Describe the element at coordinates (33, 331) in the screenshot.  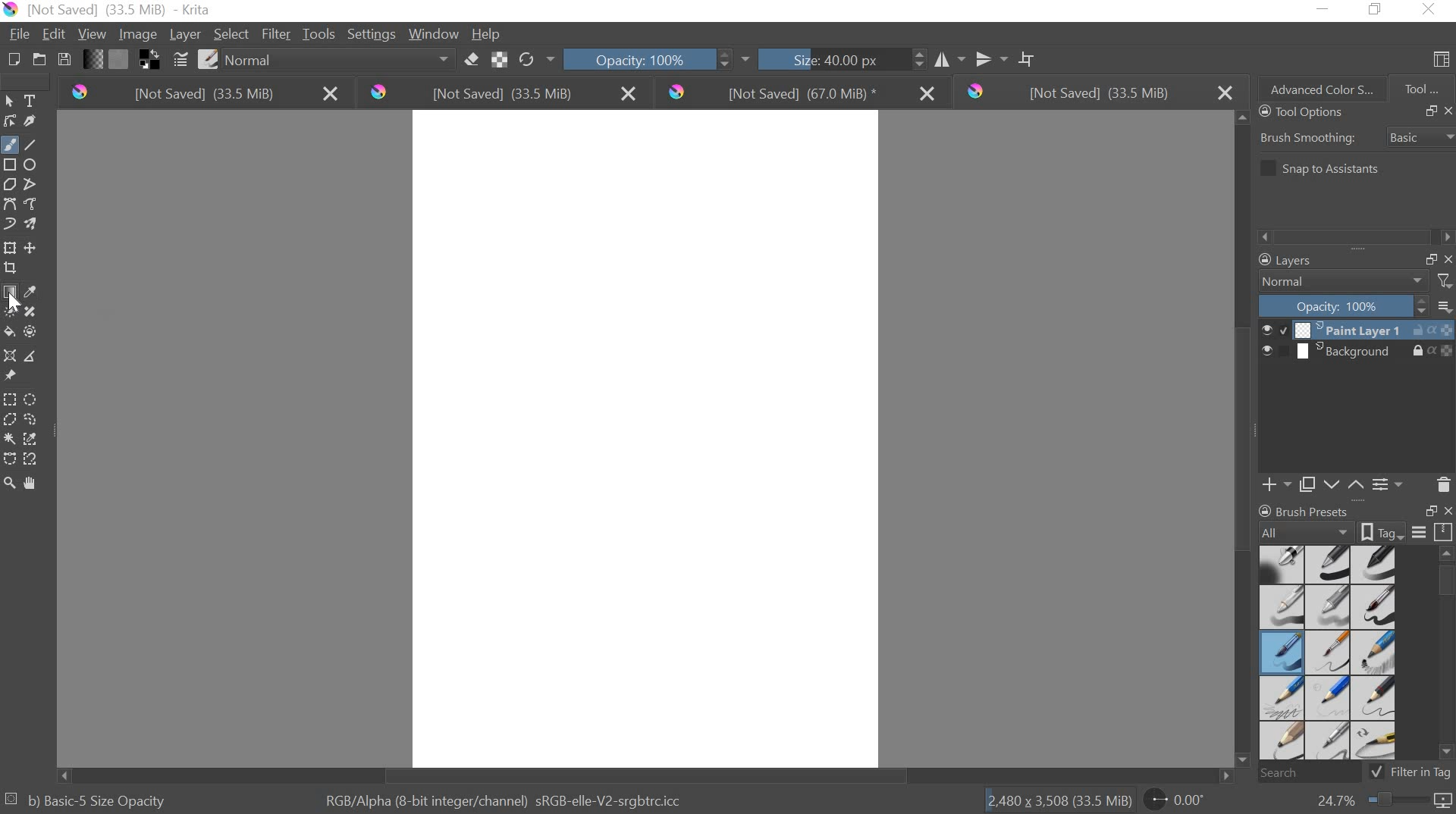
I see `enclose and fill` at that location.